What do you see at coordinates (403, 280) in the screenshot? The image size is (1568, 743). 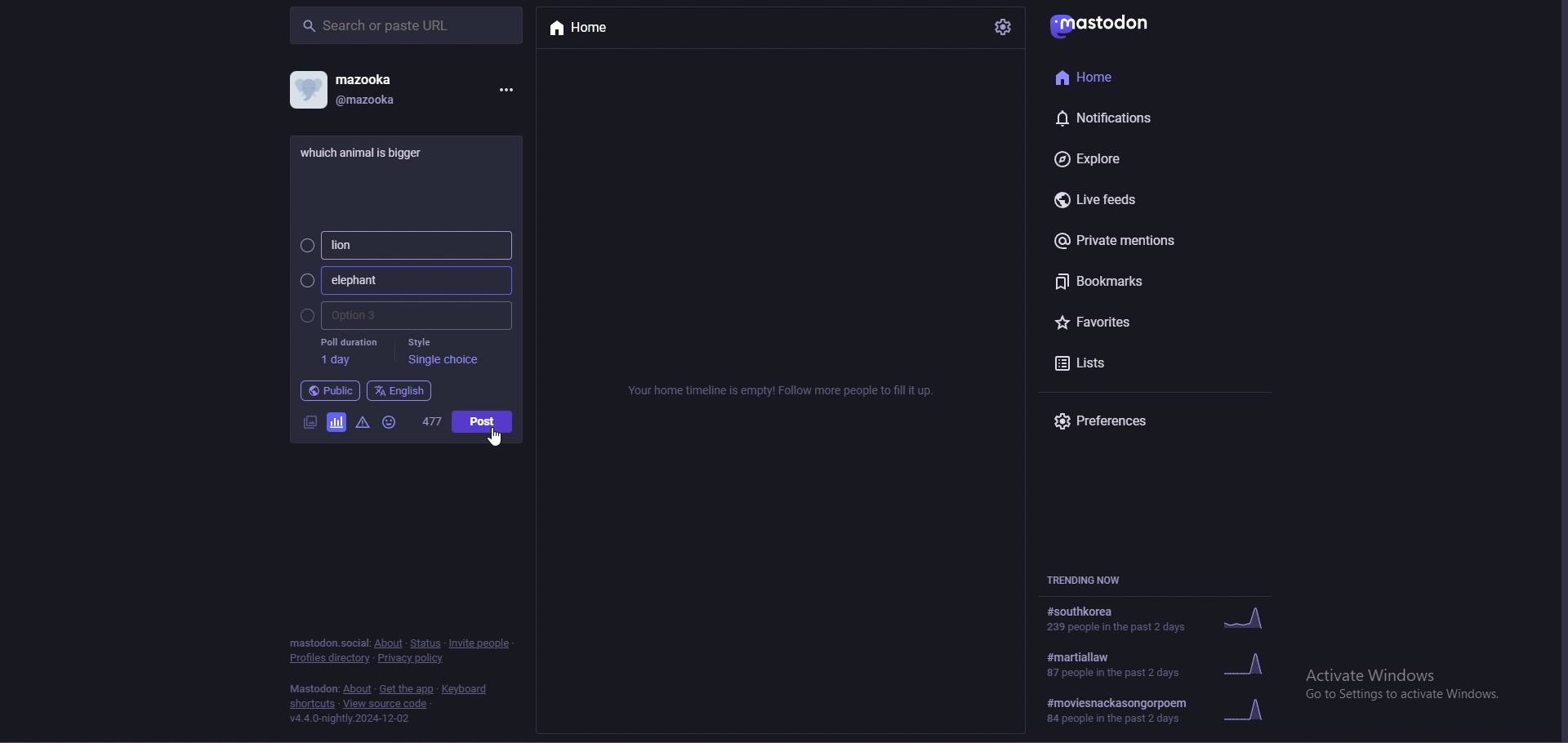 I see `option 2` at bounding box center [403, 280].